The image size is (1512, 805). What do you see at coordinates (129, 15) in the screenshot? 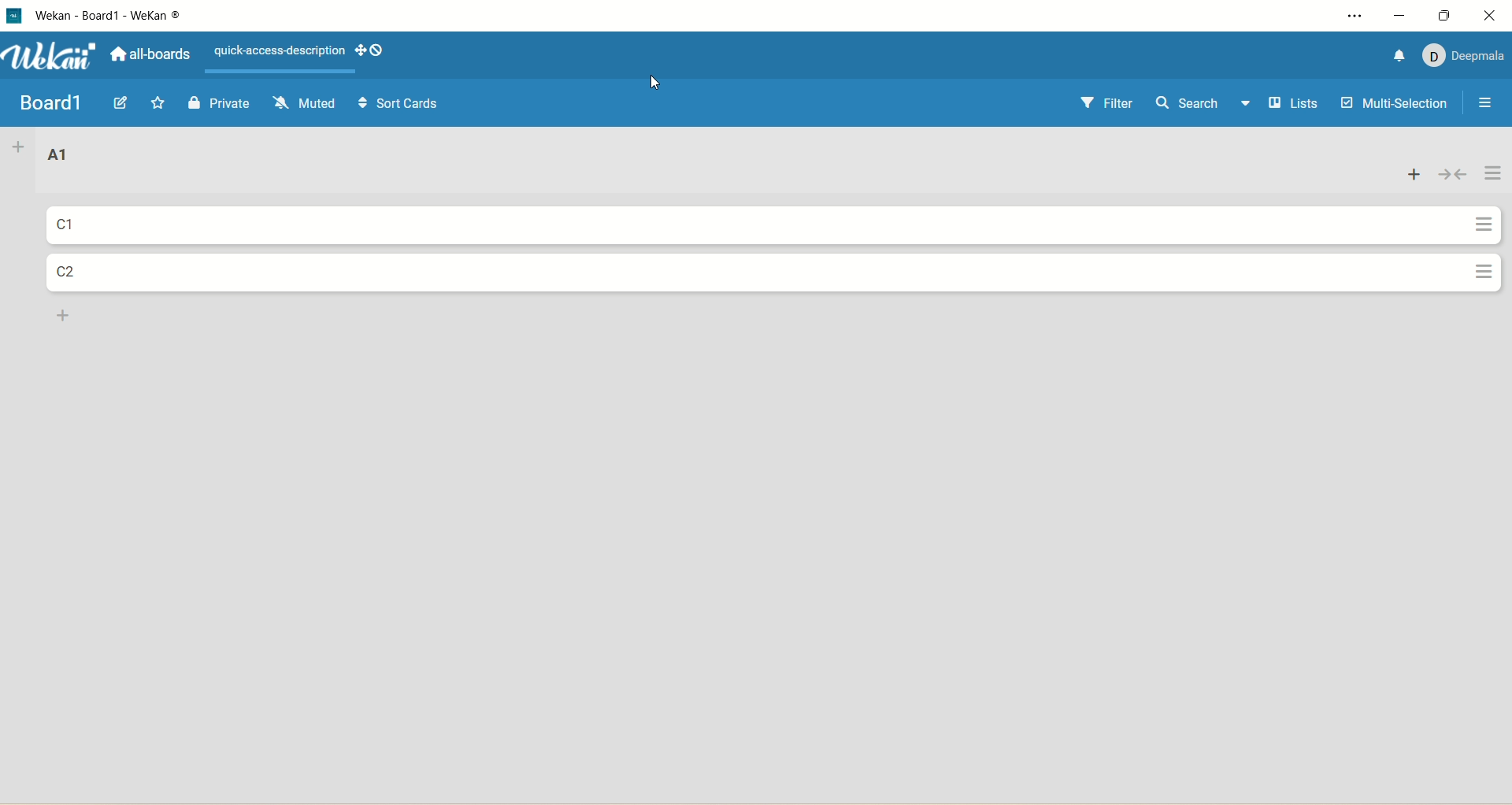
I see `title` at bounding box center [129, 15].